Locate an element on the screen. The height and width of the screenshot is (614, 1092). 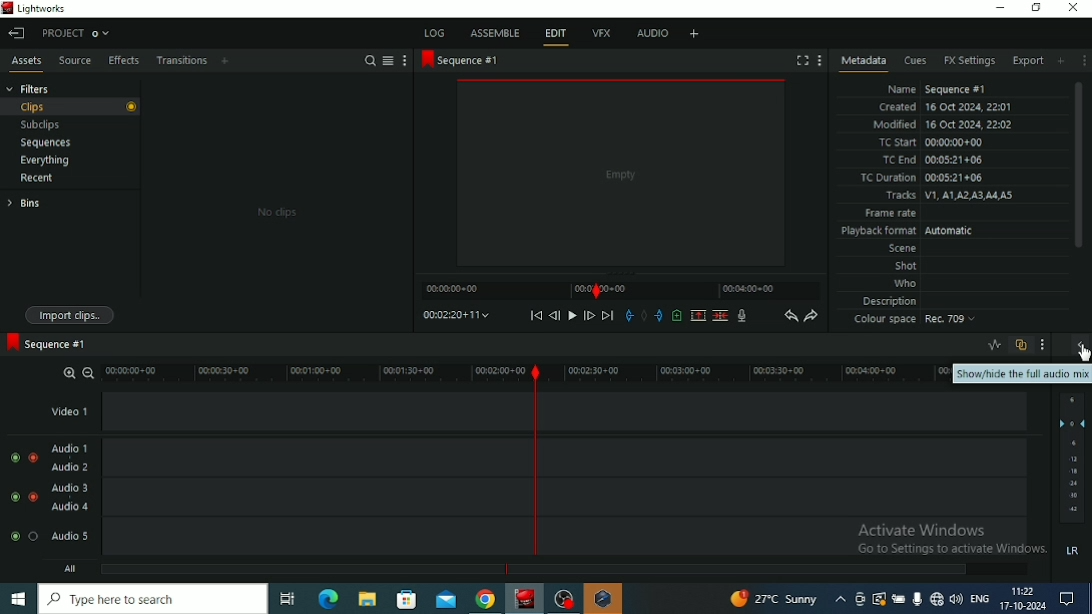
Mute/unmute this track is located at coordinates (14, 497).